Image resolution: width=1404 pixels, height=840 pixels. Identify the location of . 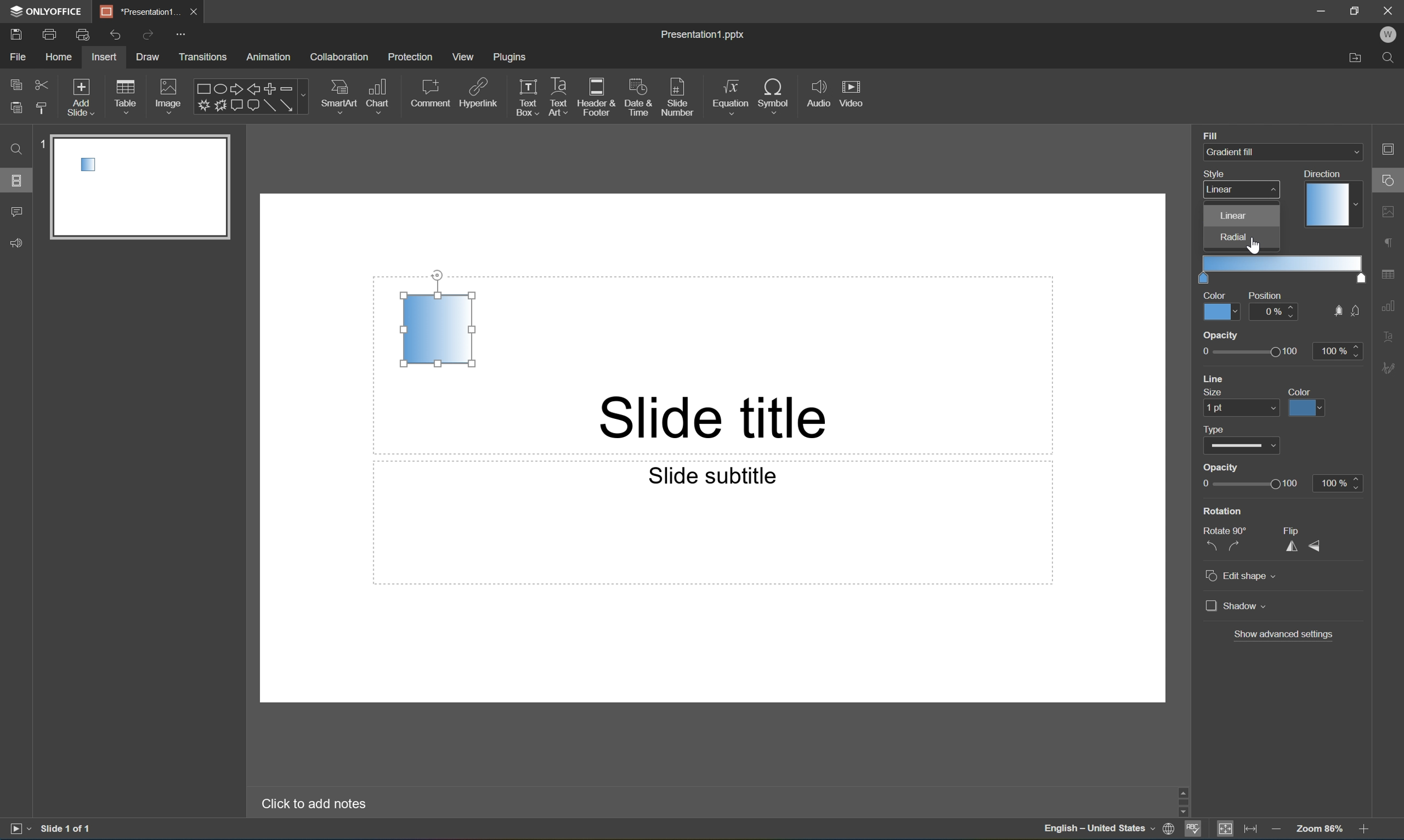
(1358, 310).